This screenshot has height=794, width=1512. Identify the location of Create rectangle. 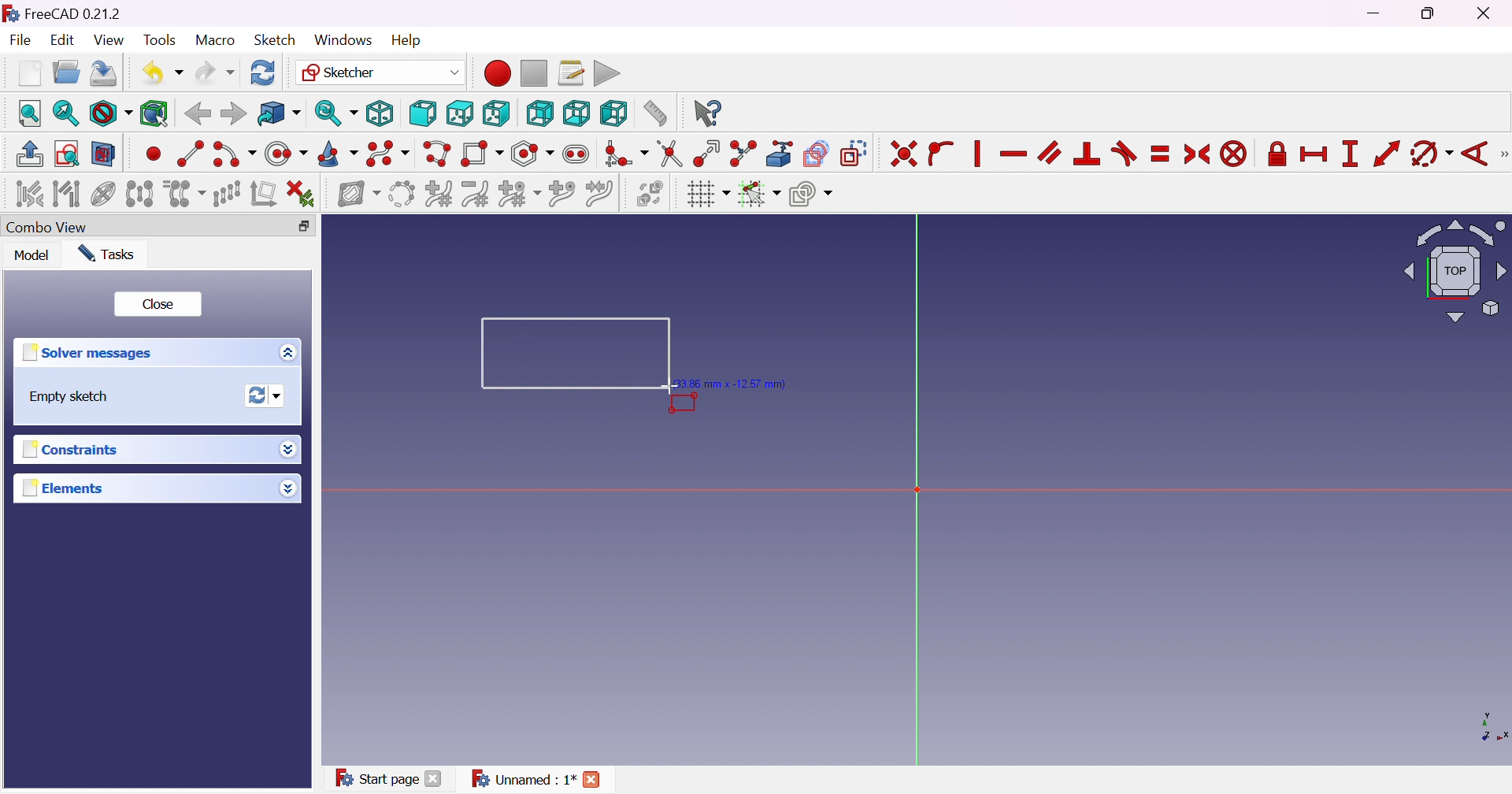
(483, 155).